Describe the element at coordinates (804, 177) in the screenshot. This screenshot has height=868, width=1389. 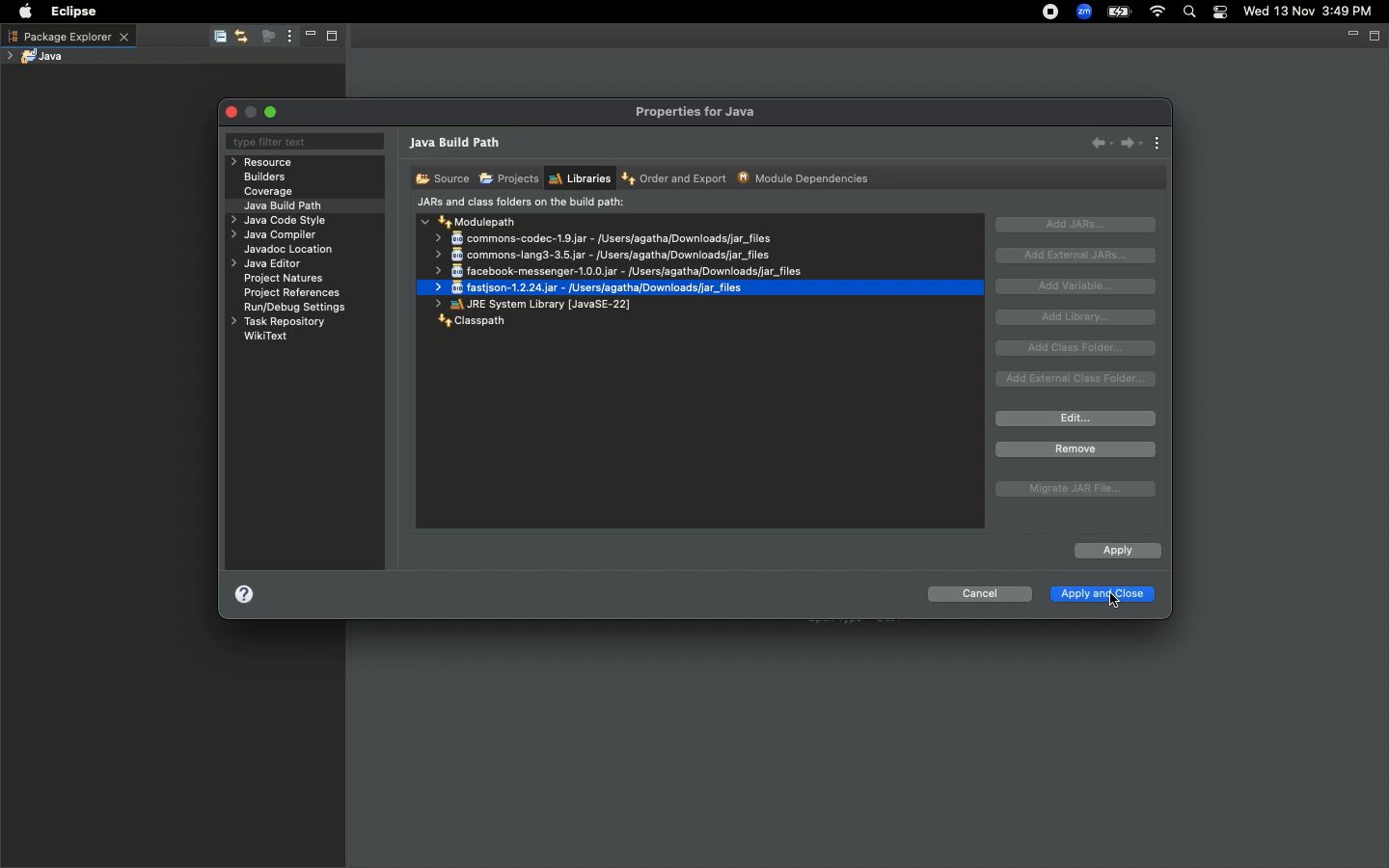
I see `Module dependencies` at that location.